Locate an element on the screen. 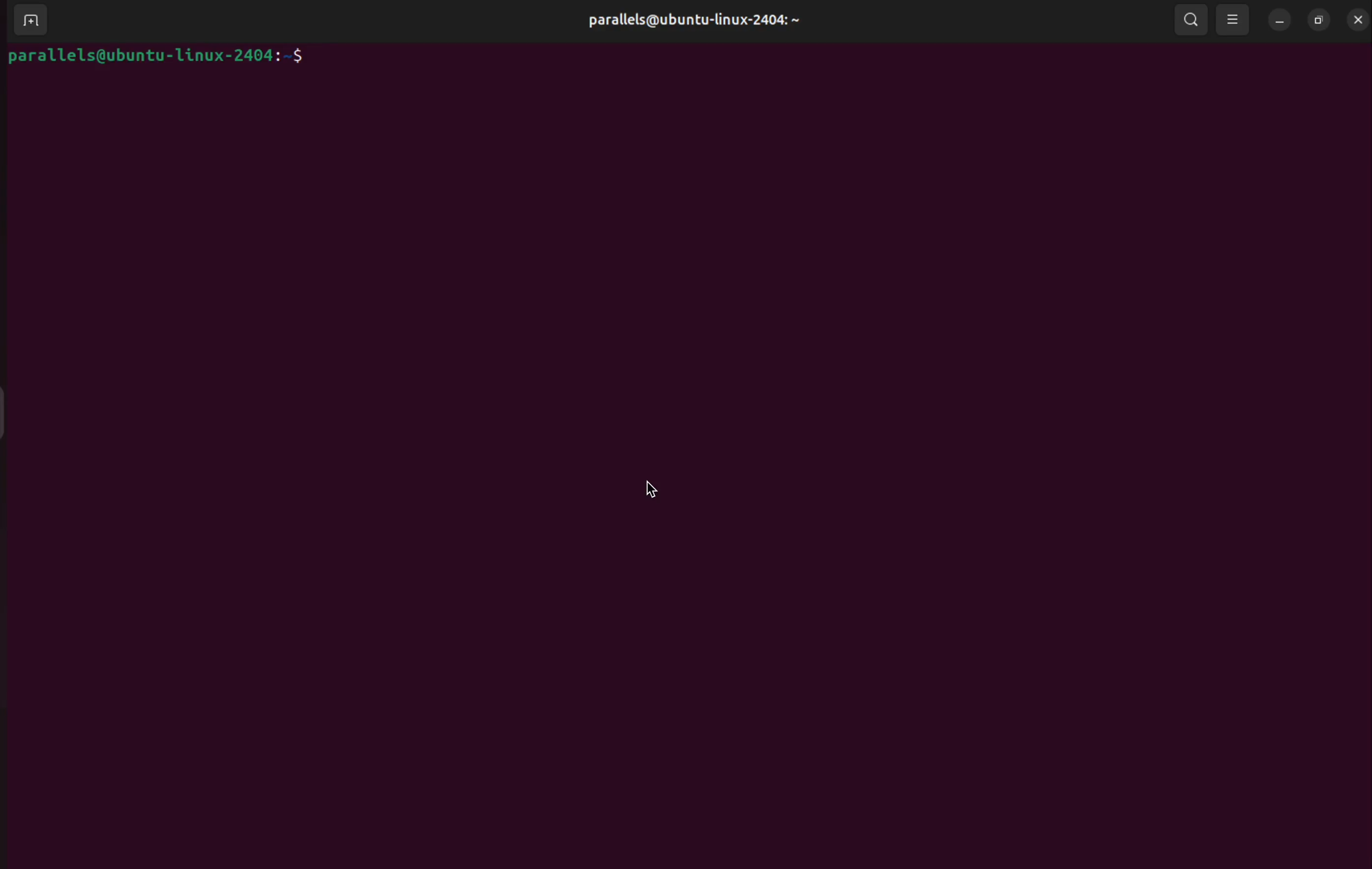 This screenshot has height=869, width=1372. minimize is located at coordinates (1280, 19).